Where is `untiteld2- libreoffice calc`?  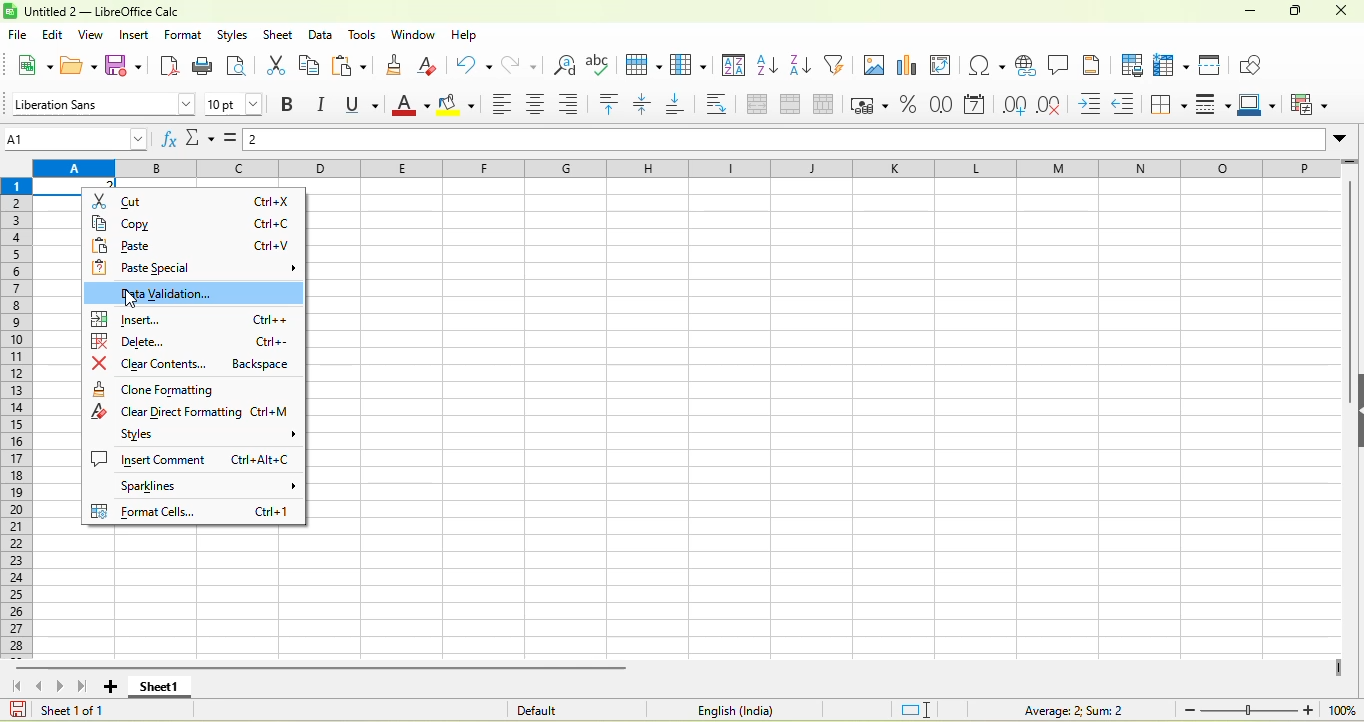
untiteld2- libreoffice calc is located at coordinates (111, 9).